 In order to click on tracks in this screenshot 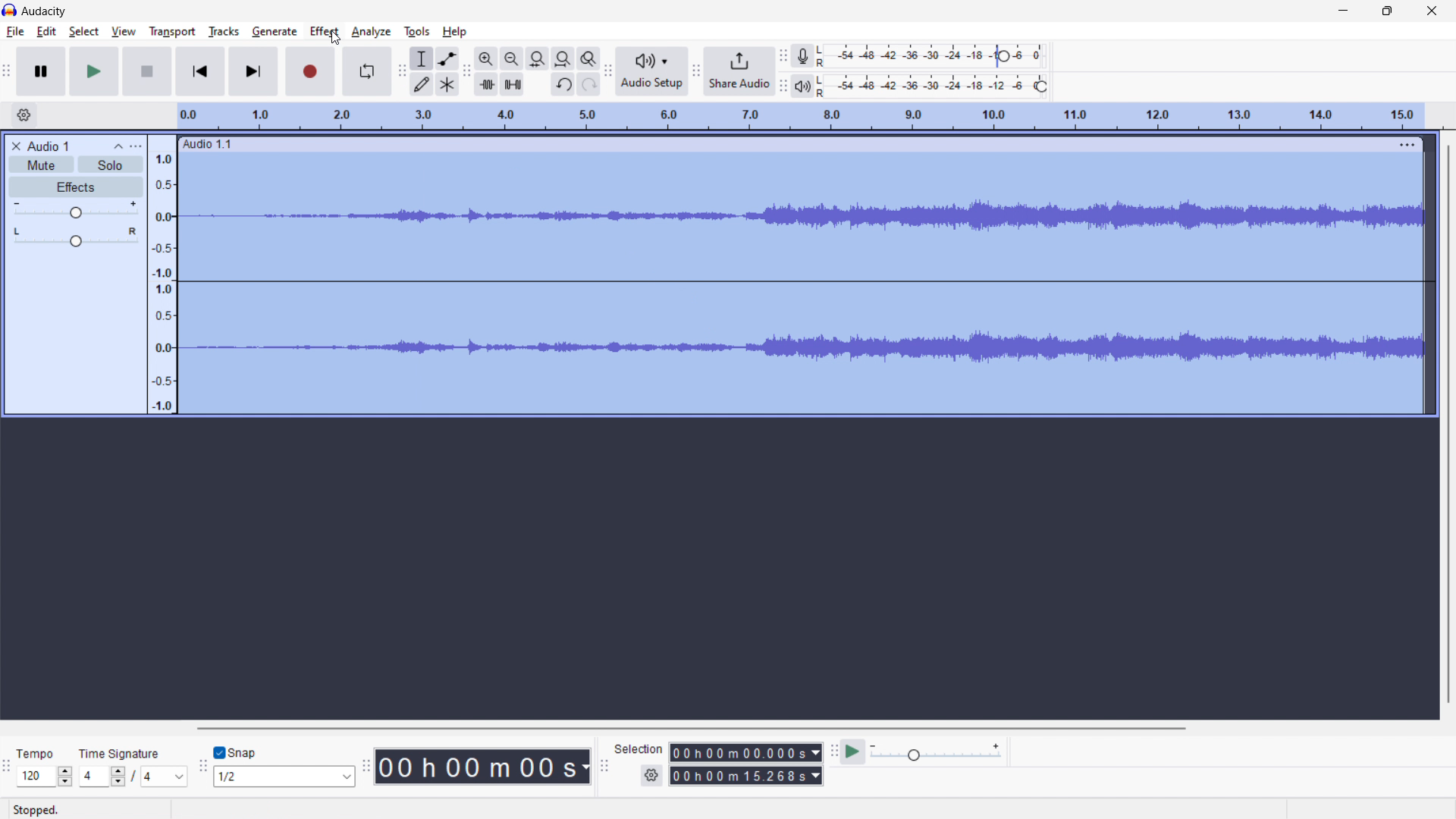, I will do `click(223, 31)`.